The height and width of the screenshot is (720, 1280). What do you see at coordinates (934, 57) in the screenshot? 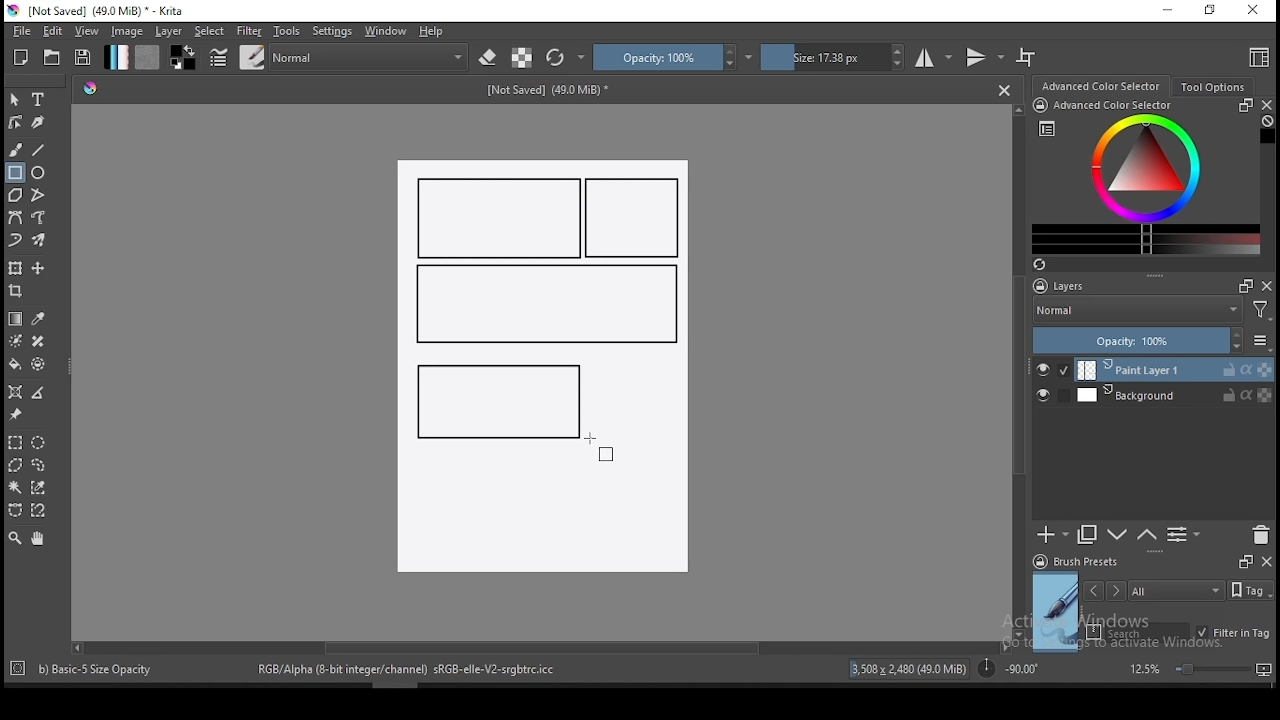
I see `horizontal mirror tool` at bounding box center [934, 57].